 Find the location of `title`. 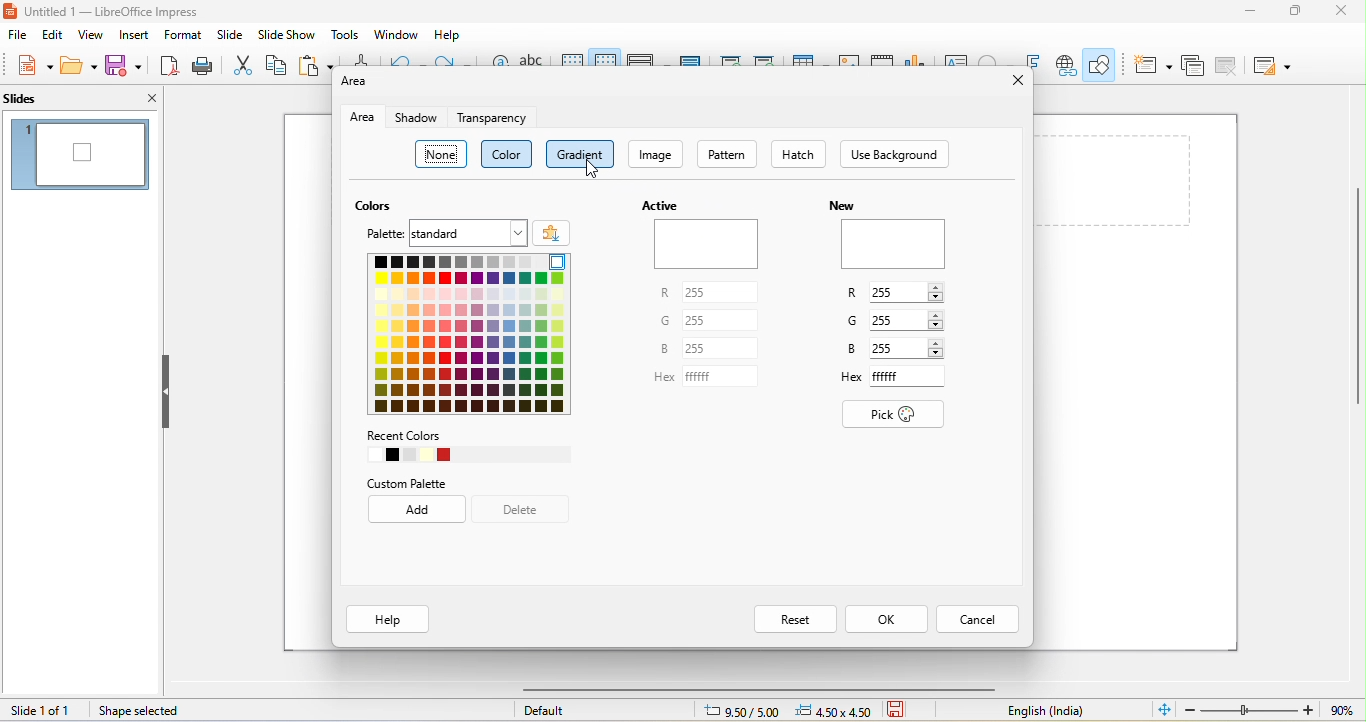

title is located at coordinates (126, 11).